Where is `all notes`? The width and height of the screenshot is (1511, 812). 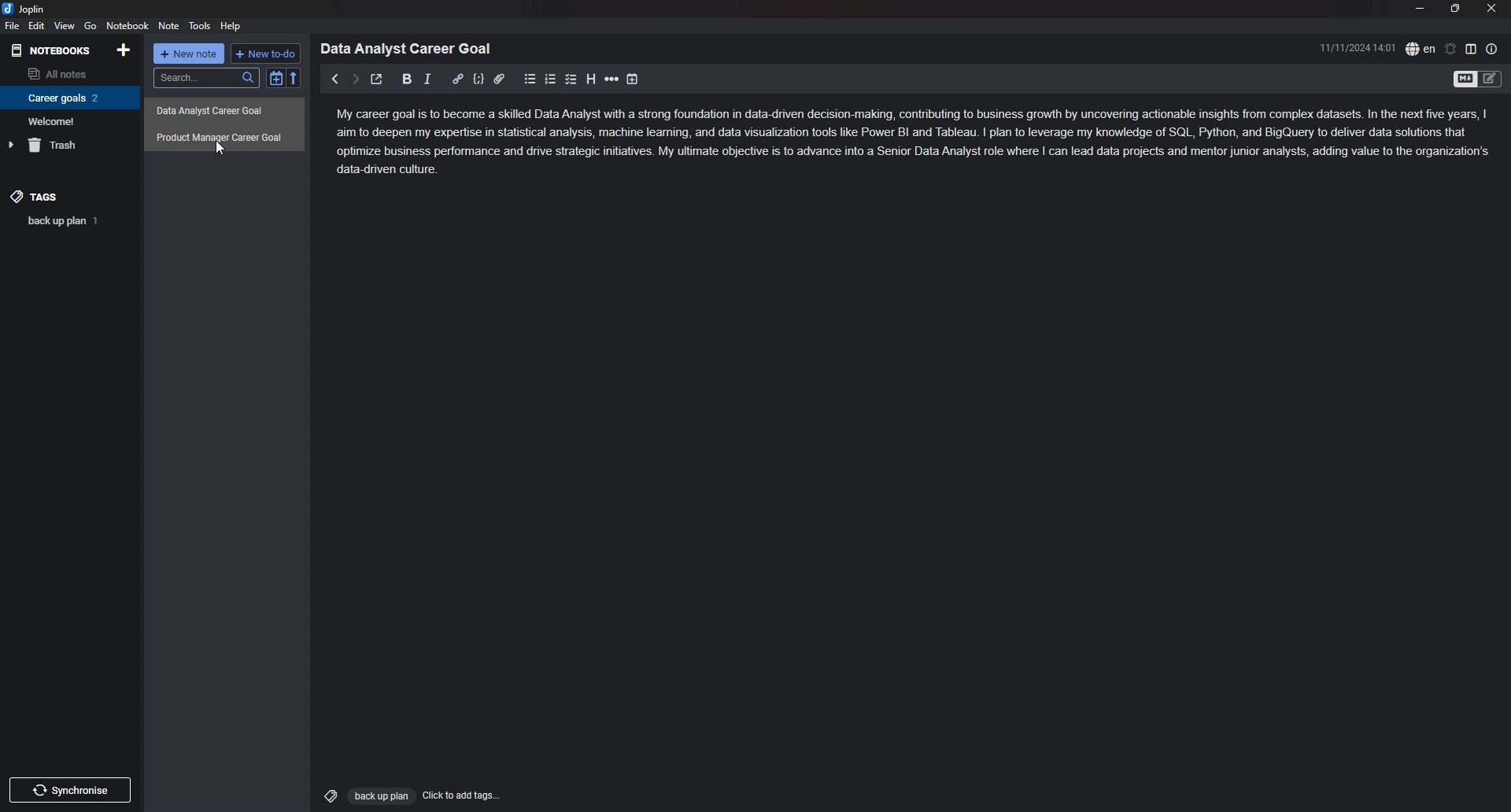
all notes is located at coordinates (67, 72).